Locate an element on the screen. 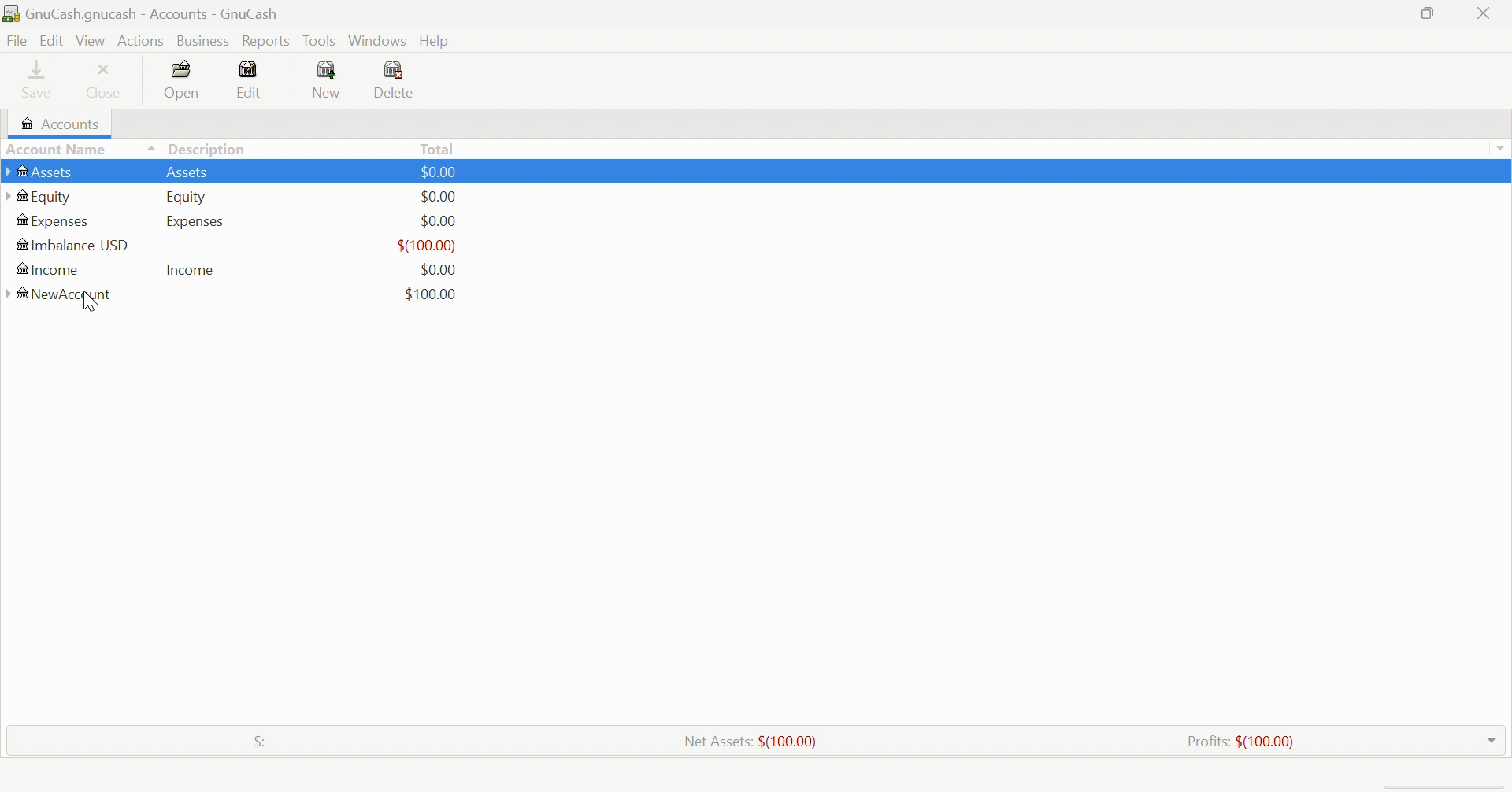  Imbalance-USD is located at coordinates (72, 245).